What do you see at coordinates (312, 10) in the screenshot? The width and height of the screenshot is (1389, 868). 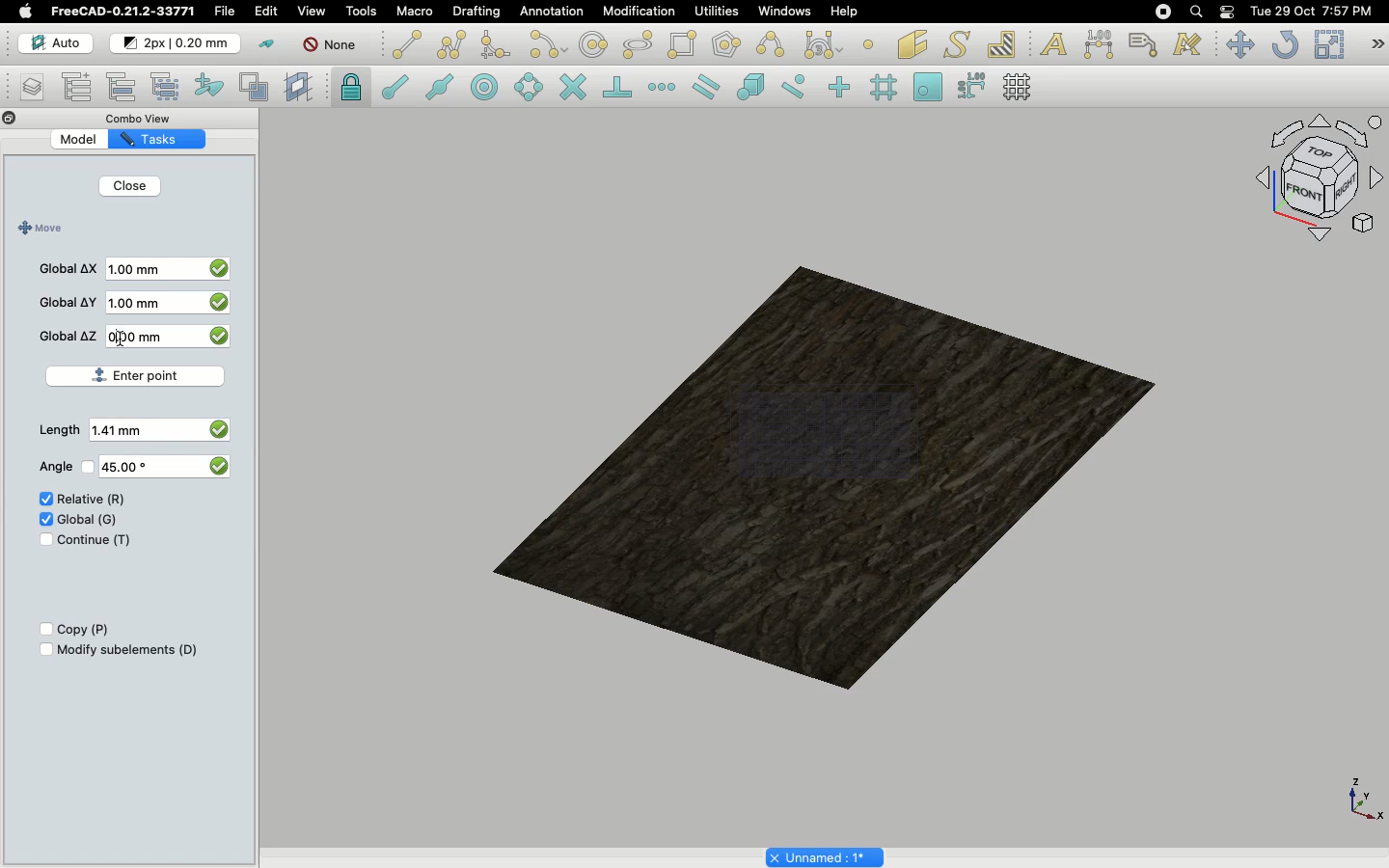 I see `View` at bounding box center [312, 10].